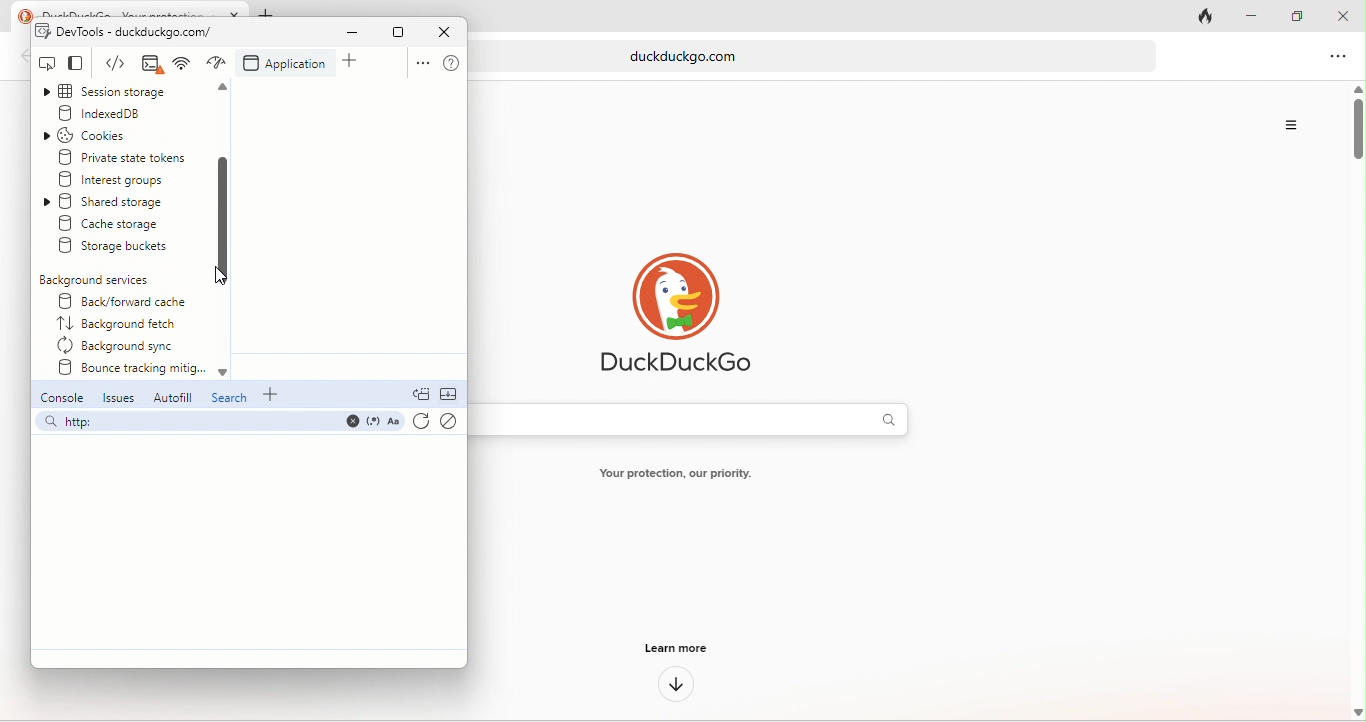  What do you see at coordinates (223, 277) in the screenshot?
I see `cursor movement` at bounding box center [223, 277].